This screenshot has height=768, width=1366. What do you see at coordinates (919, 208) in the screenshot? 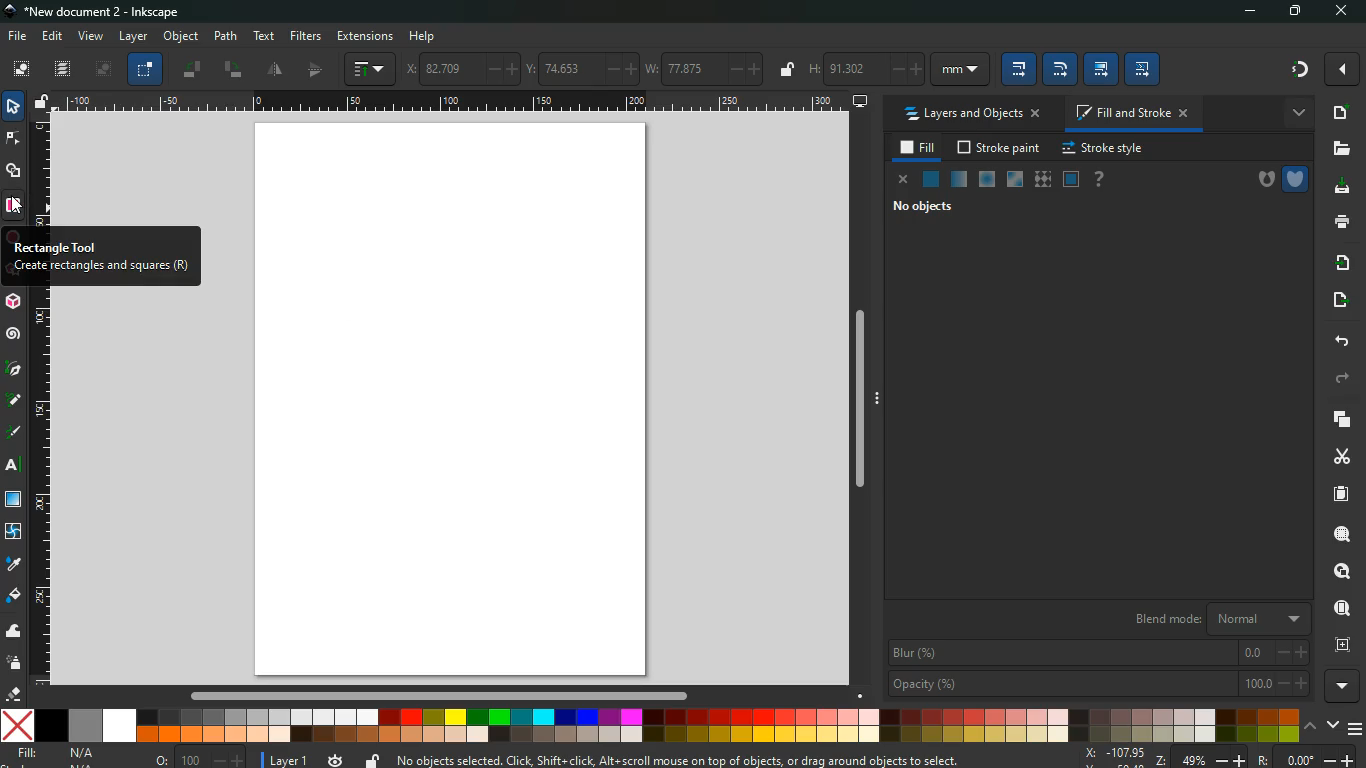
I see `no objects` at bounding box center [919, 208].